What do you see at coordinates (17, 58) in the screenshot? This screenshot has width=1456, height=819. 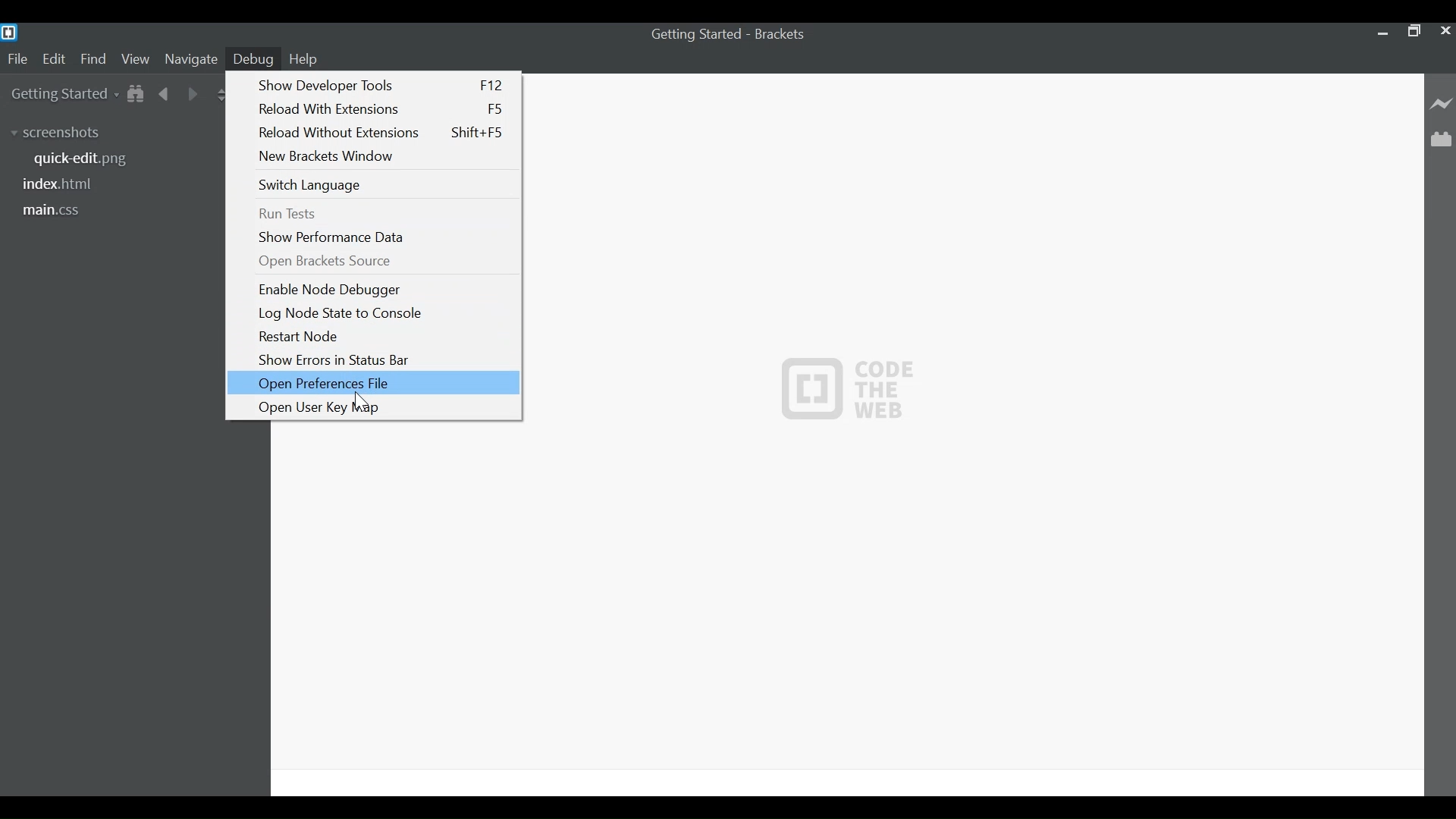 I see `File` at bounding box center [17, 58].